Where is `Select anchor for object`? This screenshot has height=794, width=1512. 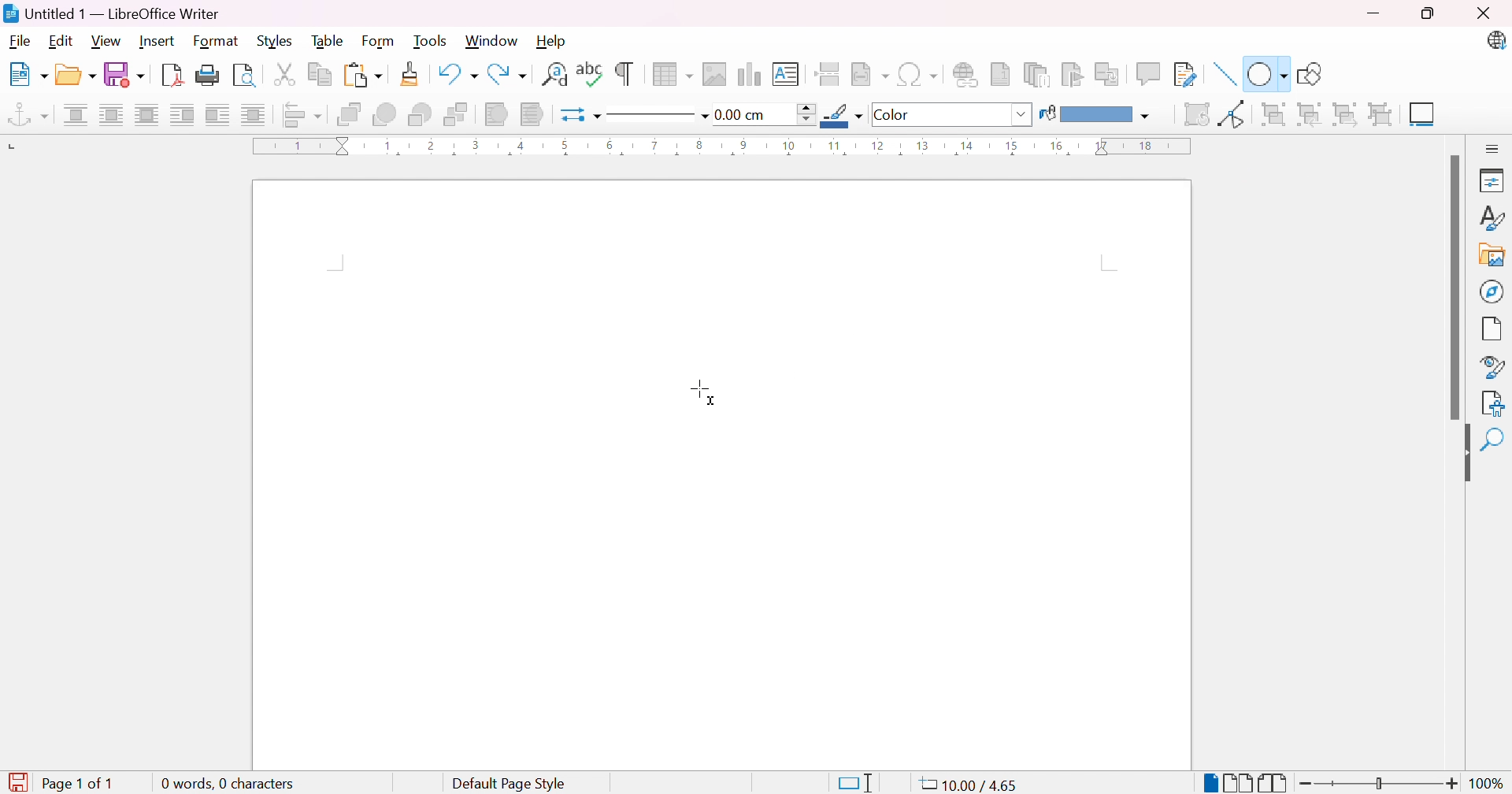
Select anchor for object is located at coordinates (28, 116).